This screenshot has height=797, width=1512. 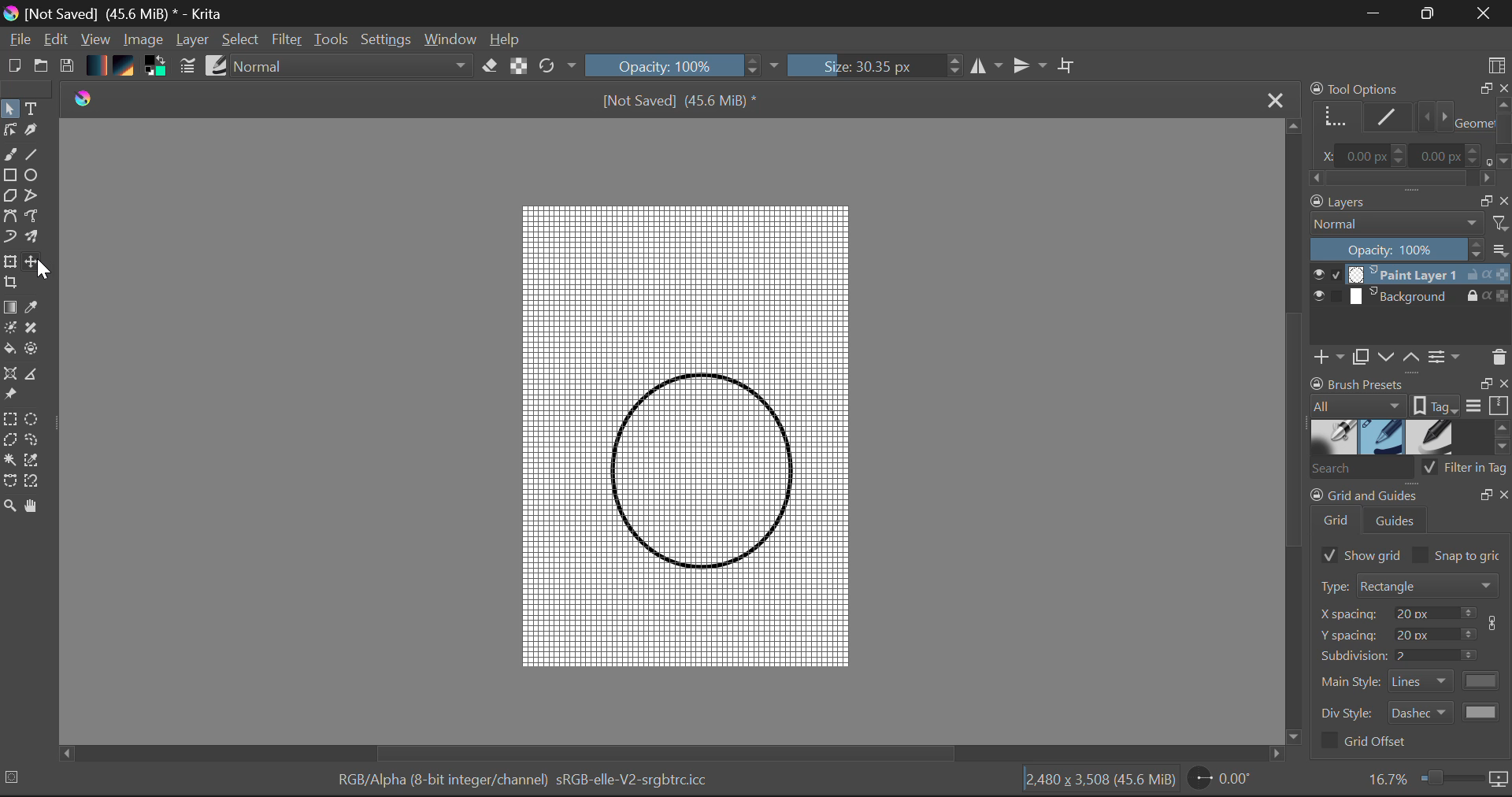 What do you see at coordinates (13, 131) in the screenshot?
I see `Edit Shapes` at bounding box center [13, 131].